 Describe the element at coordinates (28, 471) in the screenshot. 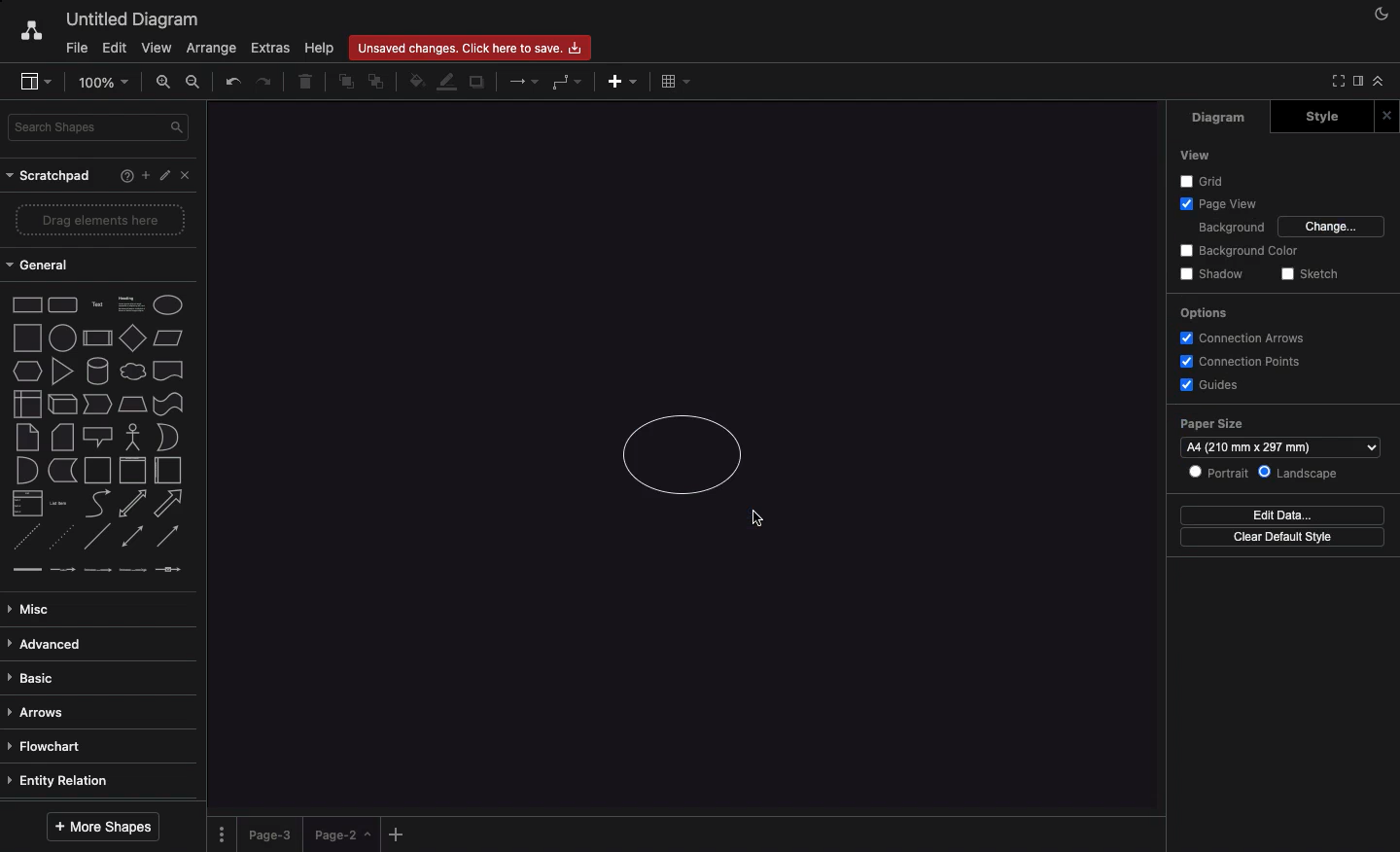

I see `and` at that location.